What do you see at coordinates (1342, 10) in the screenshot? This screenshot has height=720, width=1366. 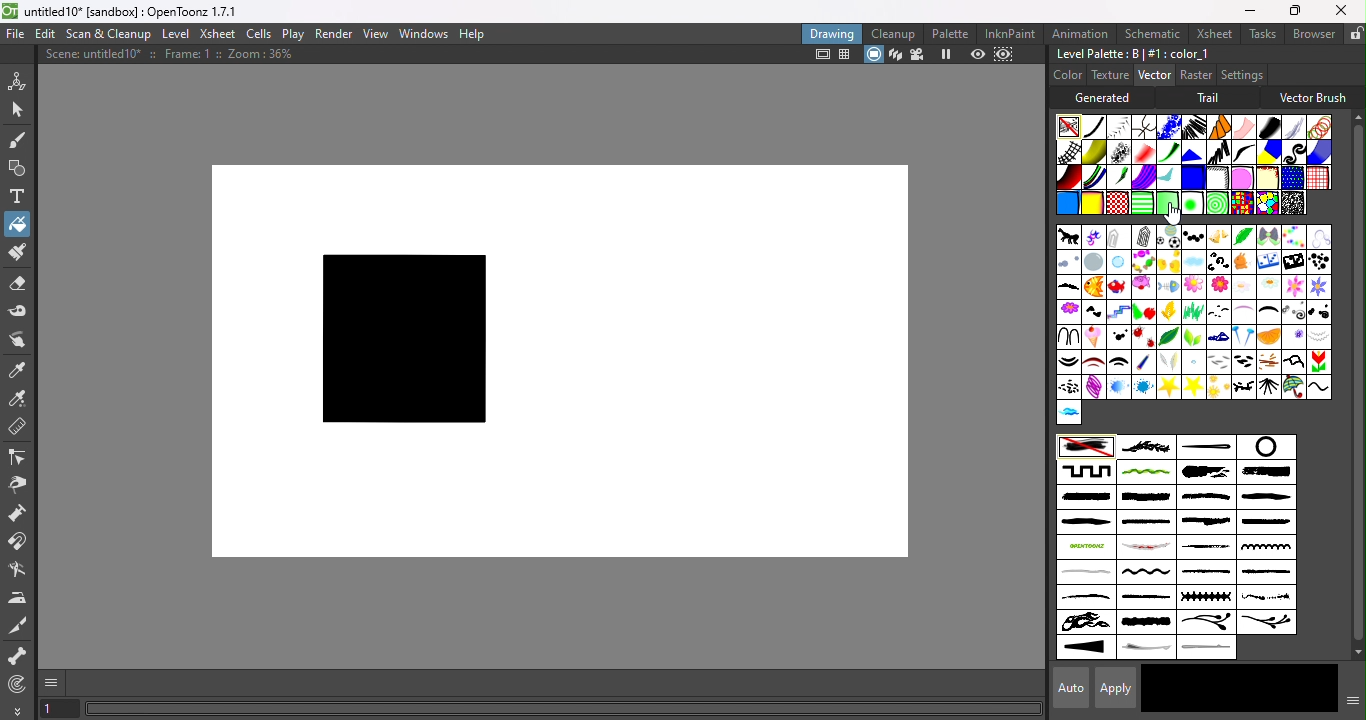 I see `Close` at bounding box center [1342, 10].